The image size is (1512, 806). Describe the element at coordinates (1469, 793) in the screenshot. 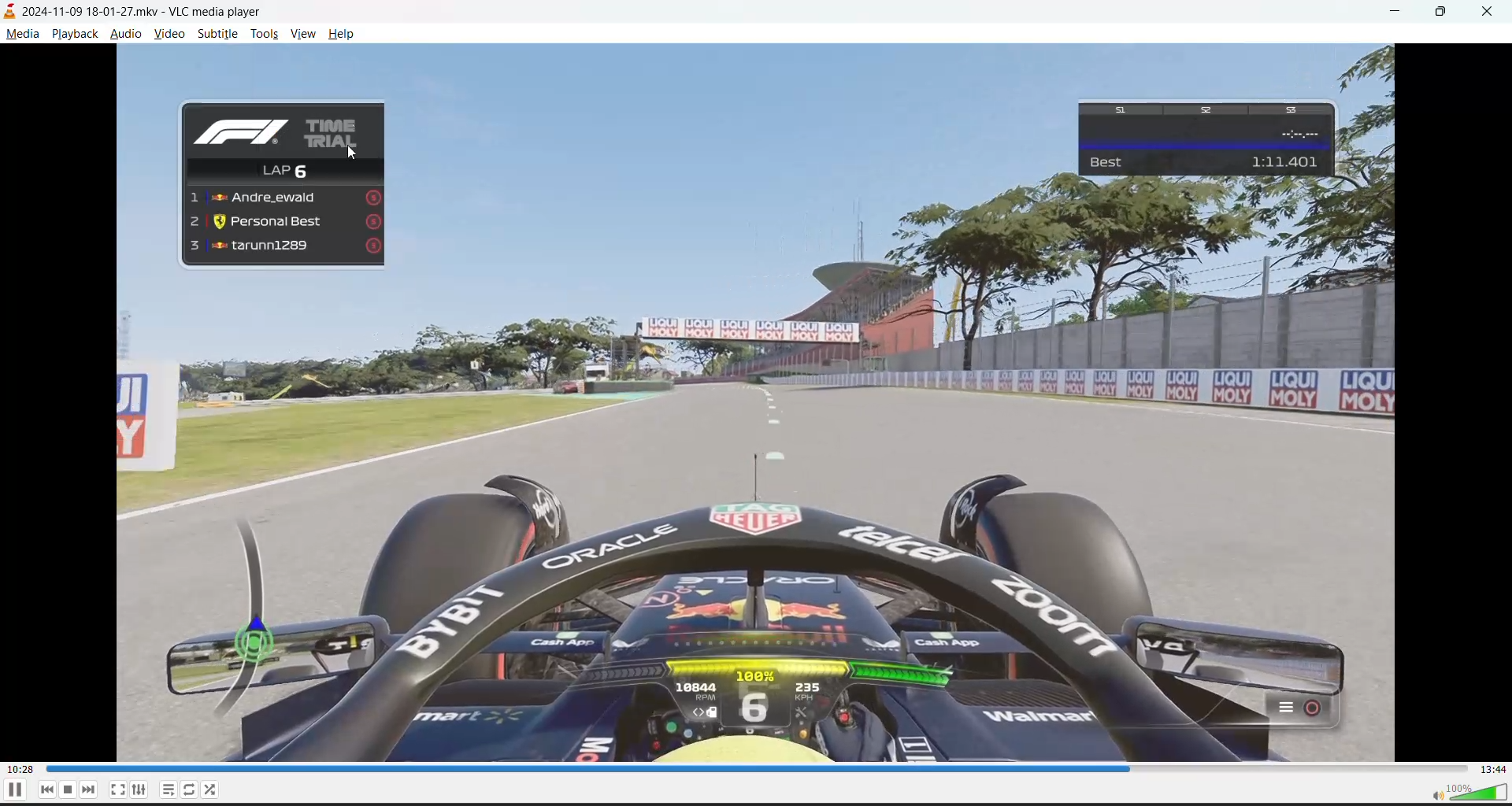

I see `volume` at that location.